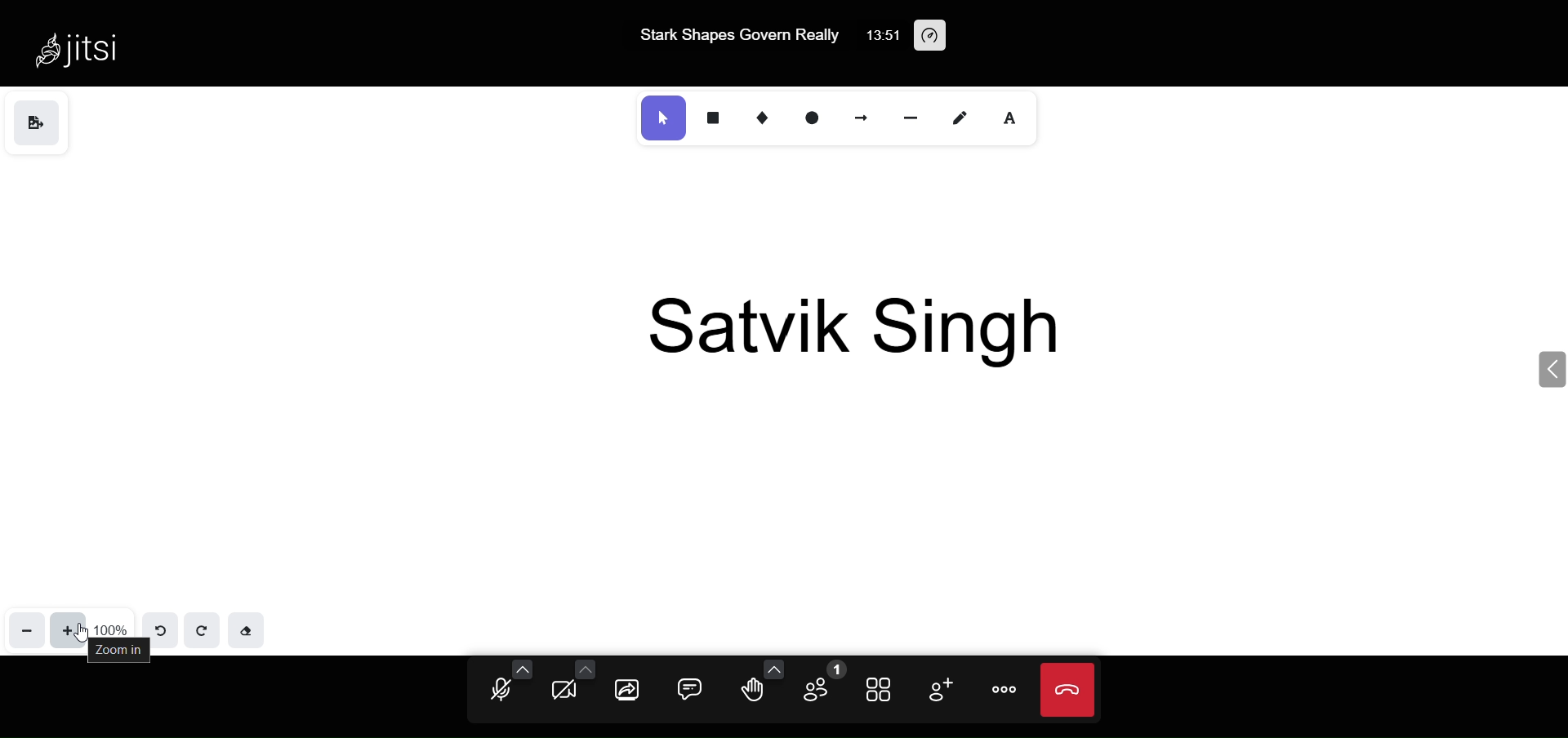 The width and height of the screenshot is (1568, 738). What do you see at coordinates (773, 668) in the screenshot?
I see `more emoji` at bounding box center [773, 668].